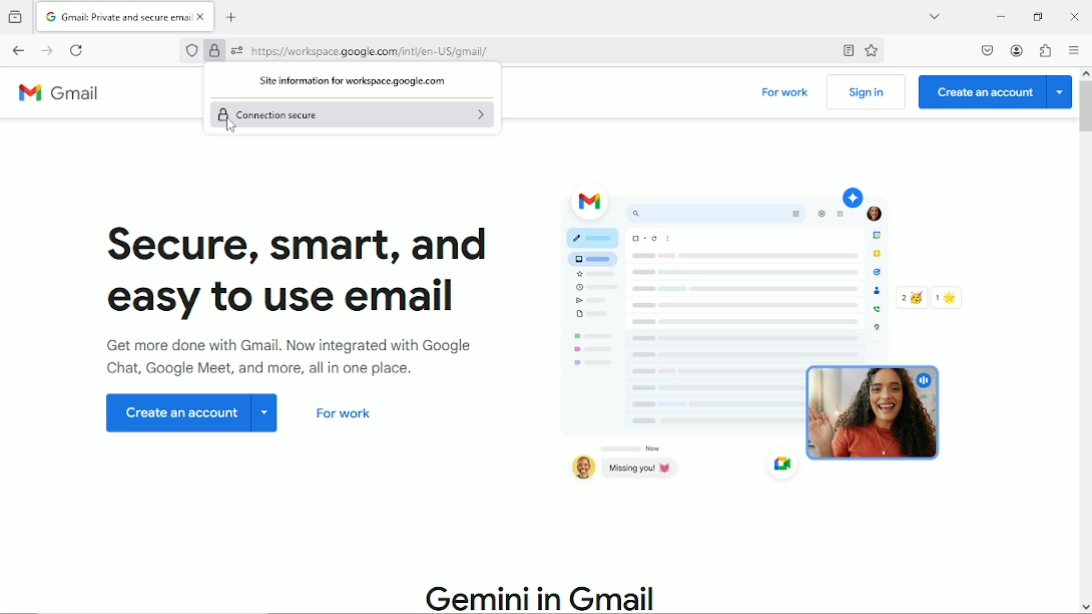 The height and width of the screenshot is (614, 1092). Describe the element at coordinates (191, 49) in the screenshot. I see `No trackers known to firefox were detected on this page` at that location.